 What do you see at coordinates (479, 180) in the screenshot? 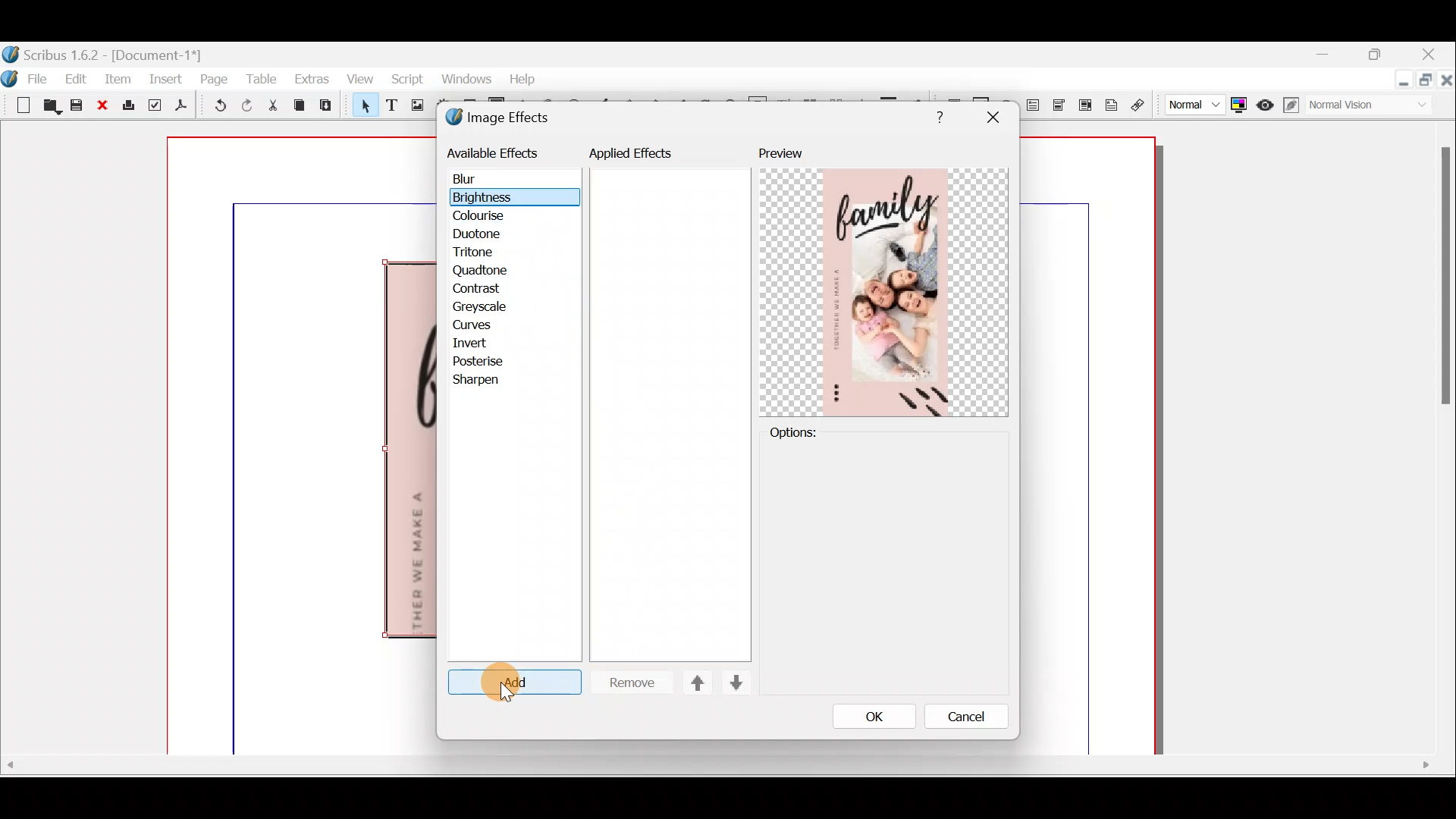
I see `Blur` at bounding box center [479, 180].